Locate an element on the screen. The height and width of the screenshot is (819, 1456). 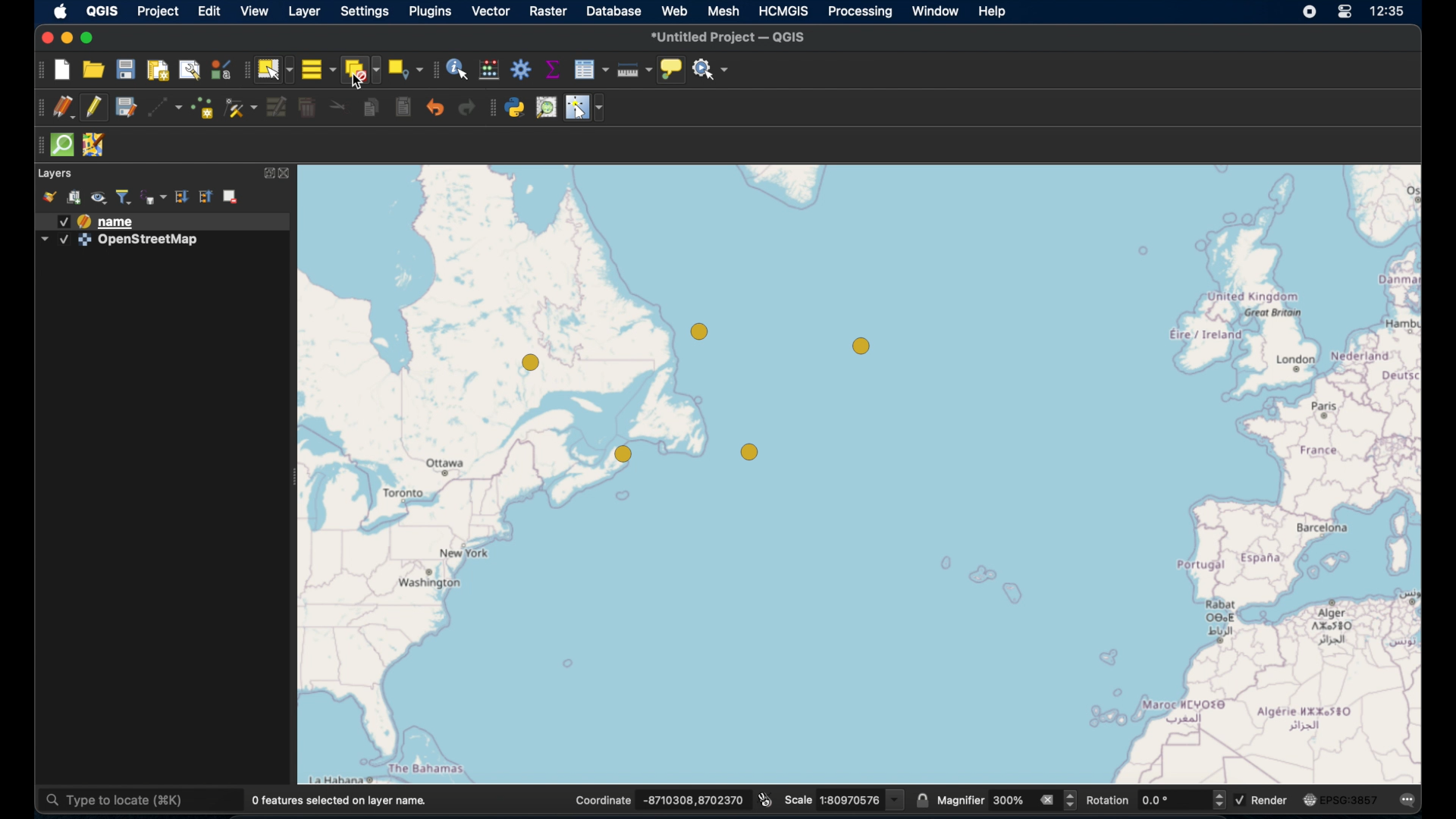
dropdown is located at coordinates (44, 240).